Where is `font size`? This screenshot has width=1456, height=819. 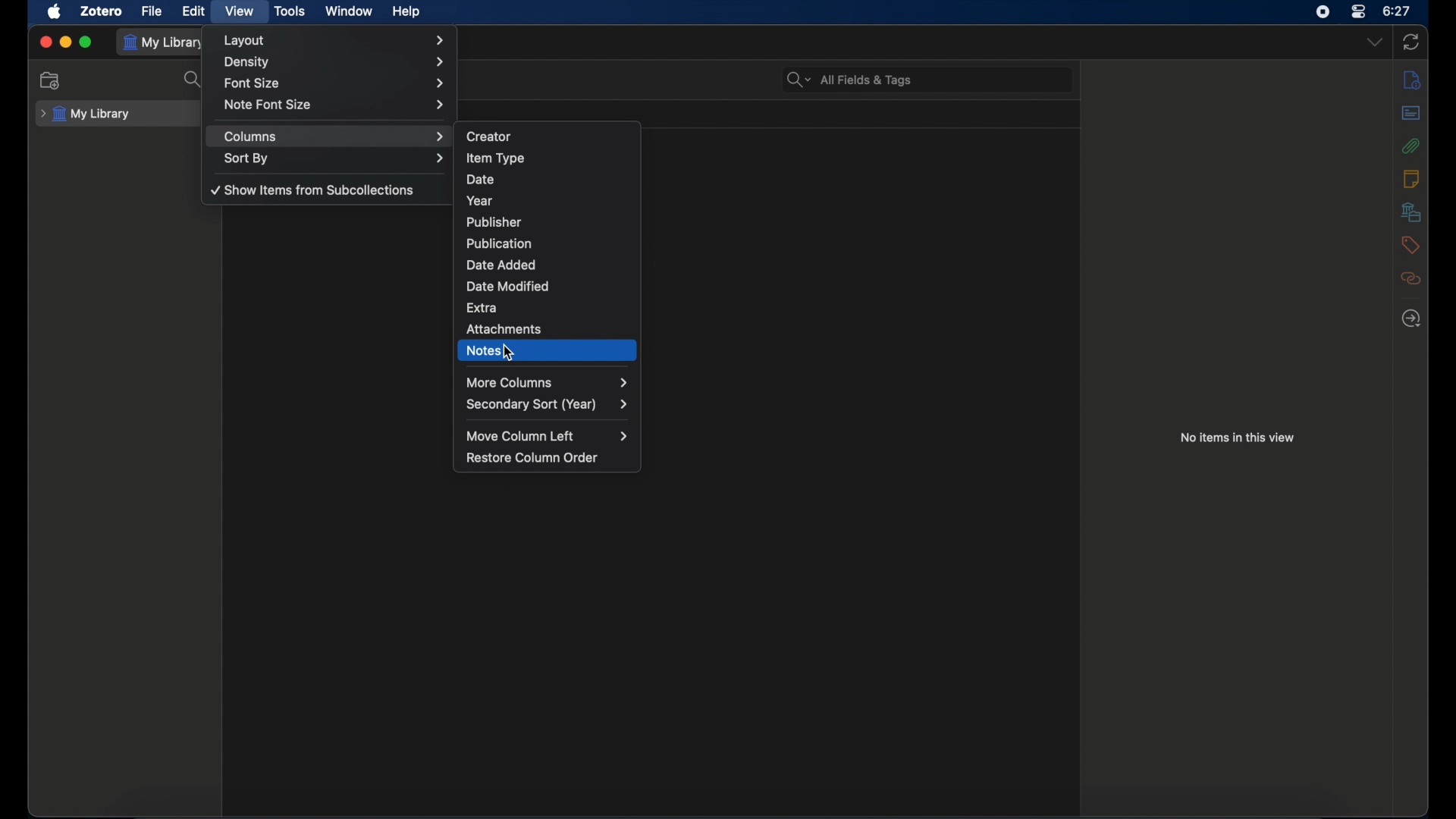
font size is located at coordinates (336, 82).